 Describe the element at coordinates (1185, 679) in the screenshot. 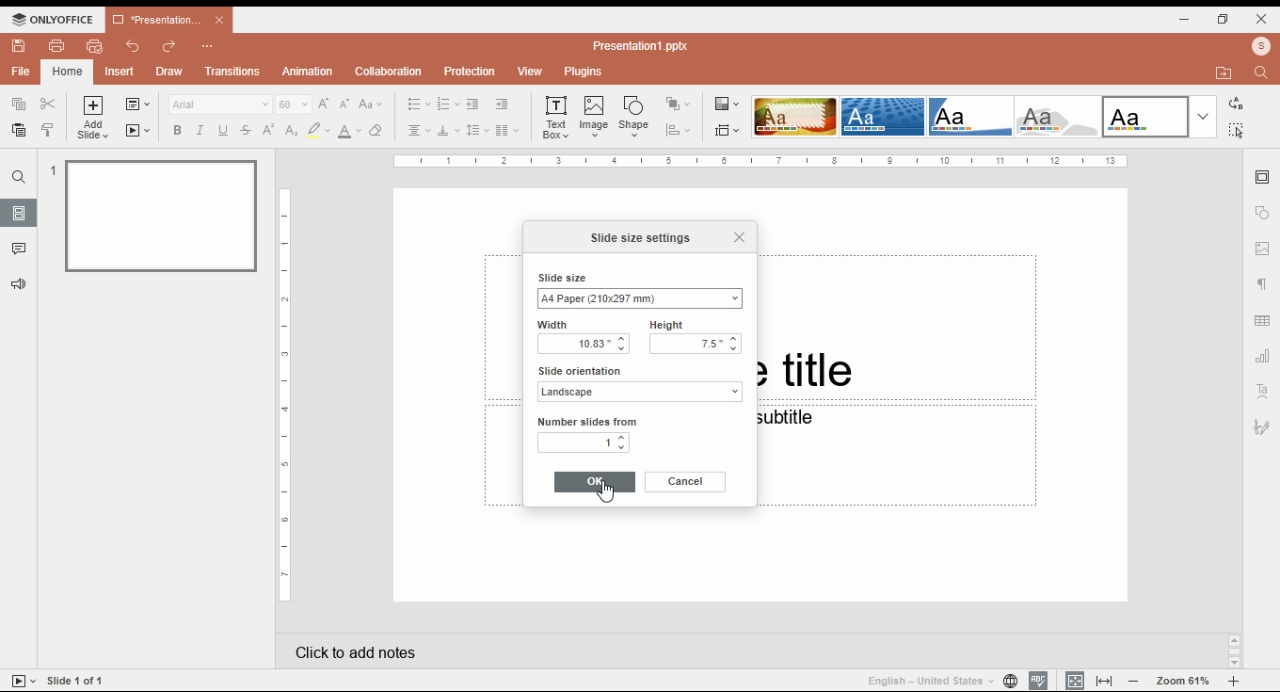

I see `Zoom 61%` at that location.